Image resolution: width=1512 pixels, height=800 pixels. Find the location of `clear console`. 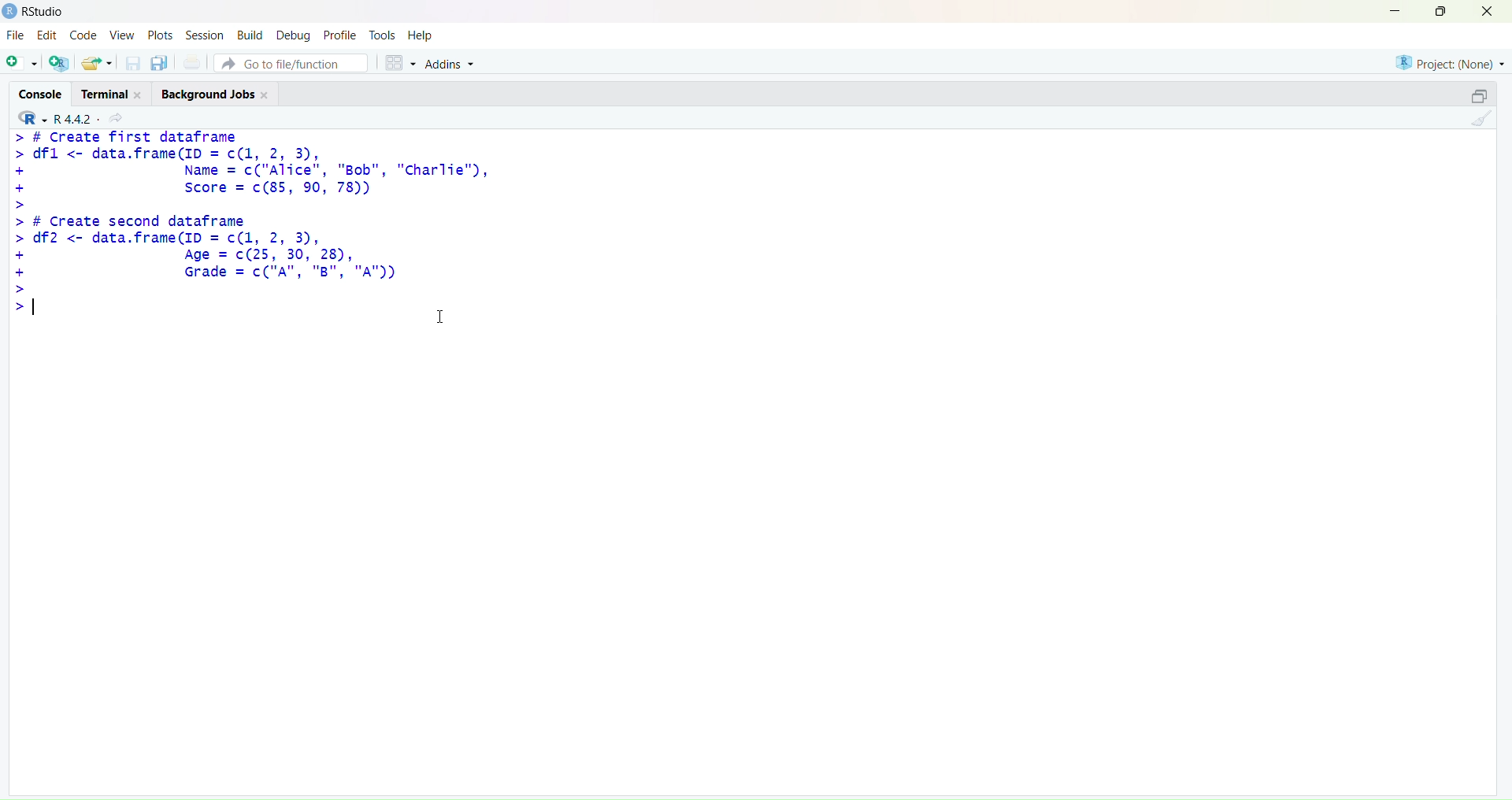

clear console is located at coordinates (1482, 119).